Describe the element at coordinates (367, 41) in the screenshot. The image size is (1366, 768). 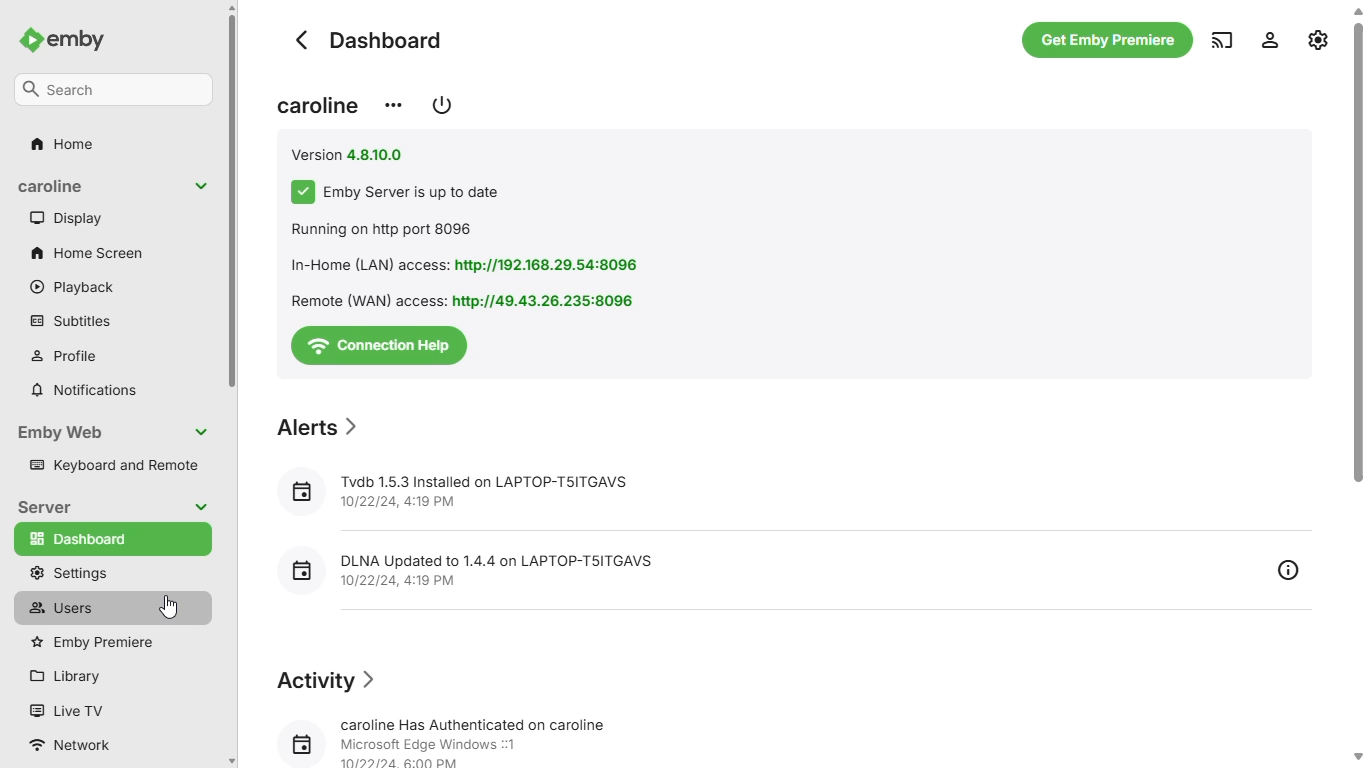
I see `dashboard` at that location.